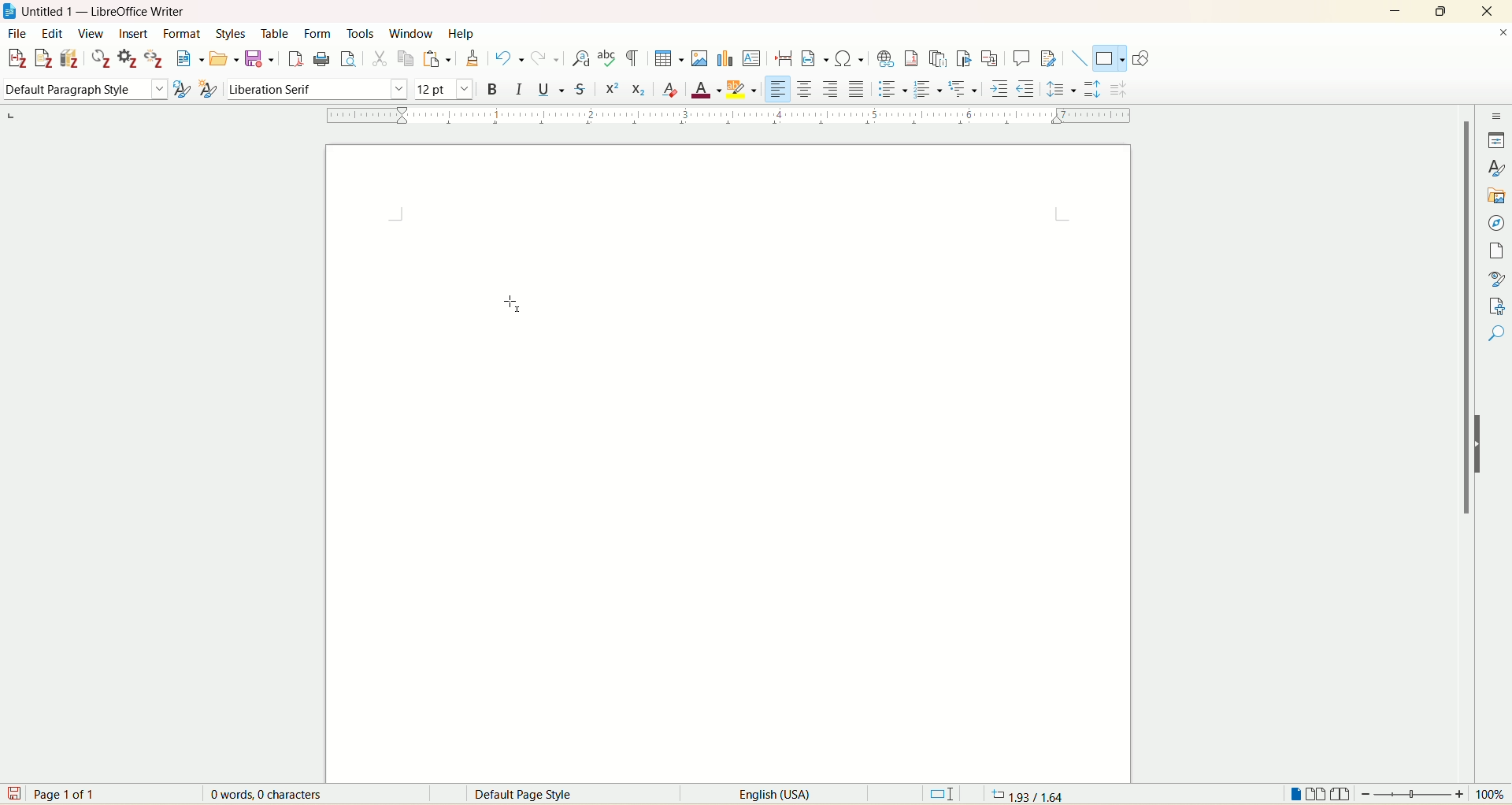 Image resolution: width=1512 pixels, height=805 pixels. I want to click on insert hyperlink, so click(887, 57).